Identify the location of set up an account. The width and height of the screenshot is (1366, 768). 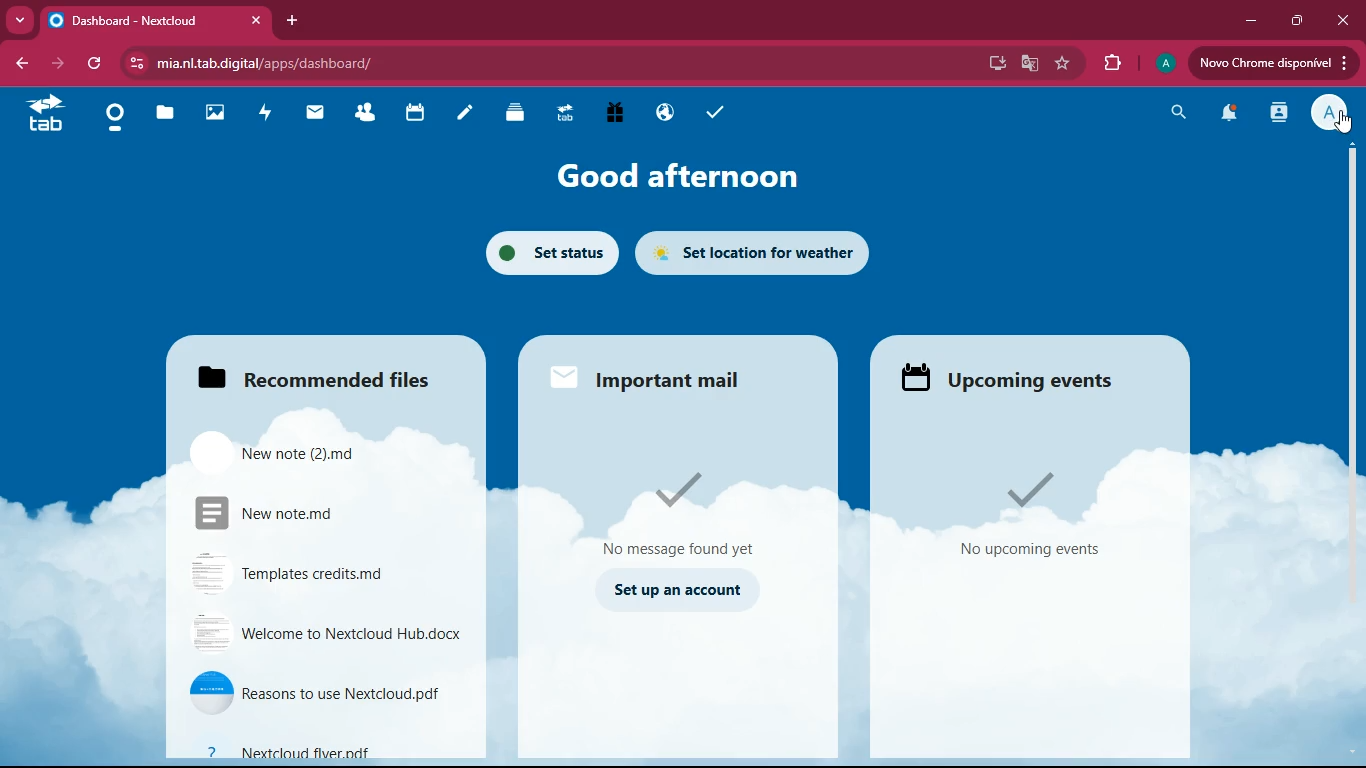
(677, 589).